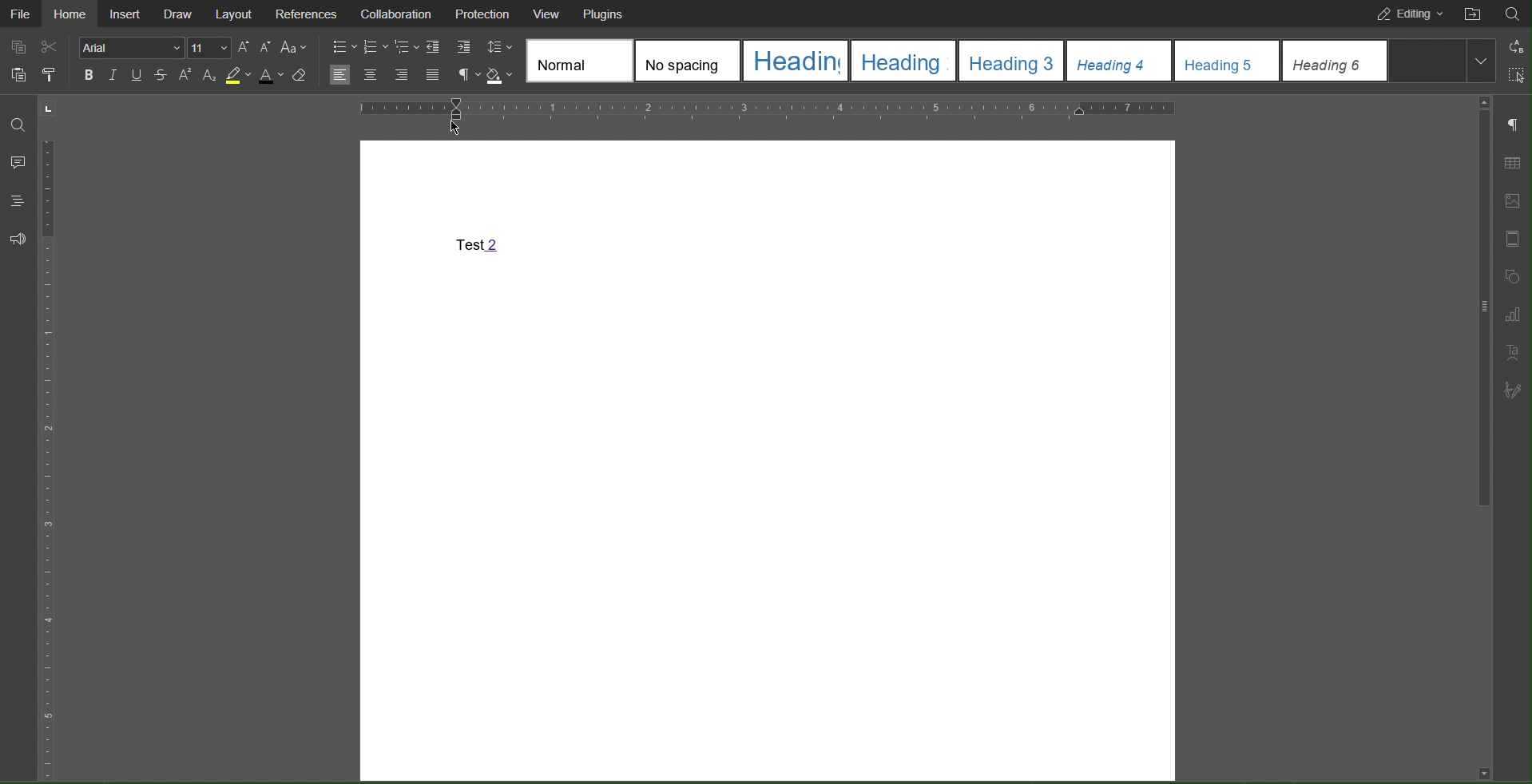  I want to click on Layout, so click(229, 12).